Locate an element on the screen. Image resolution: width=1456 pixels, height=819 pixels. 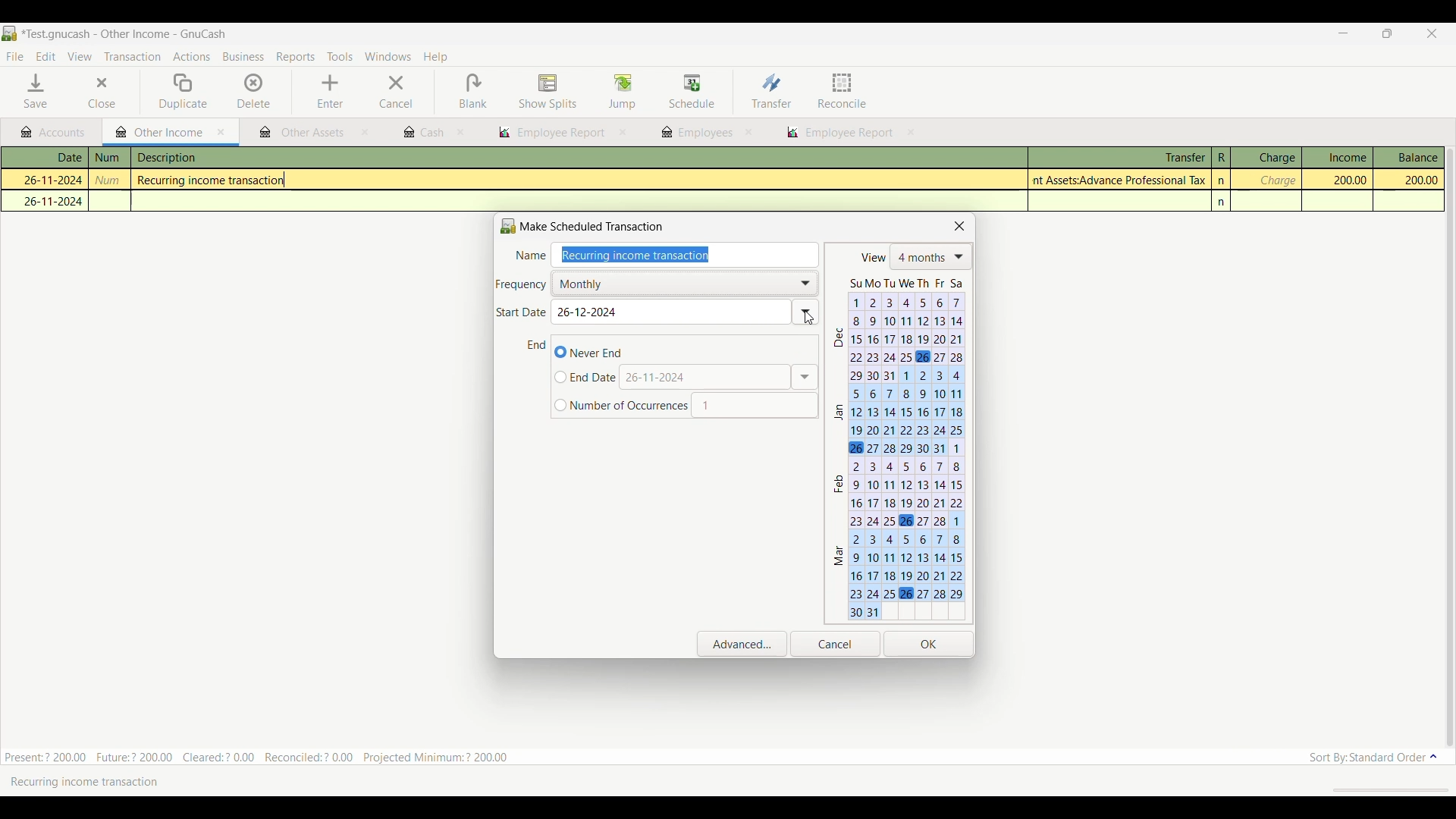
employees is located at coordinates (695, 133).